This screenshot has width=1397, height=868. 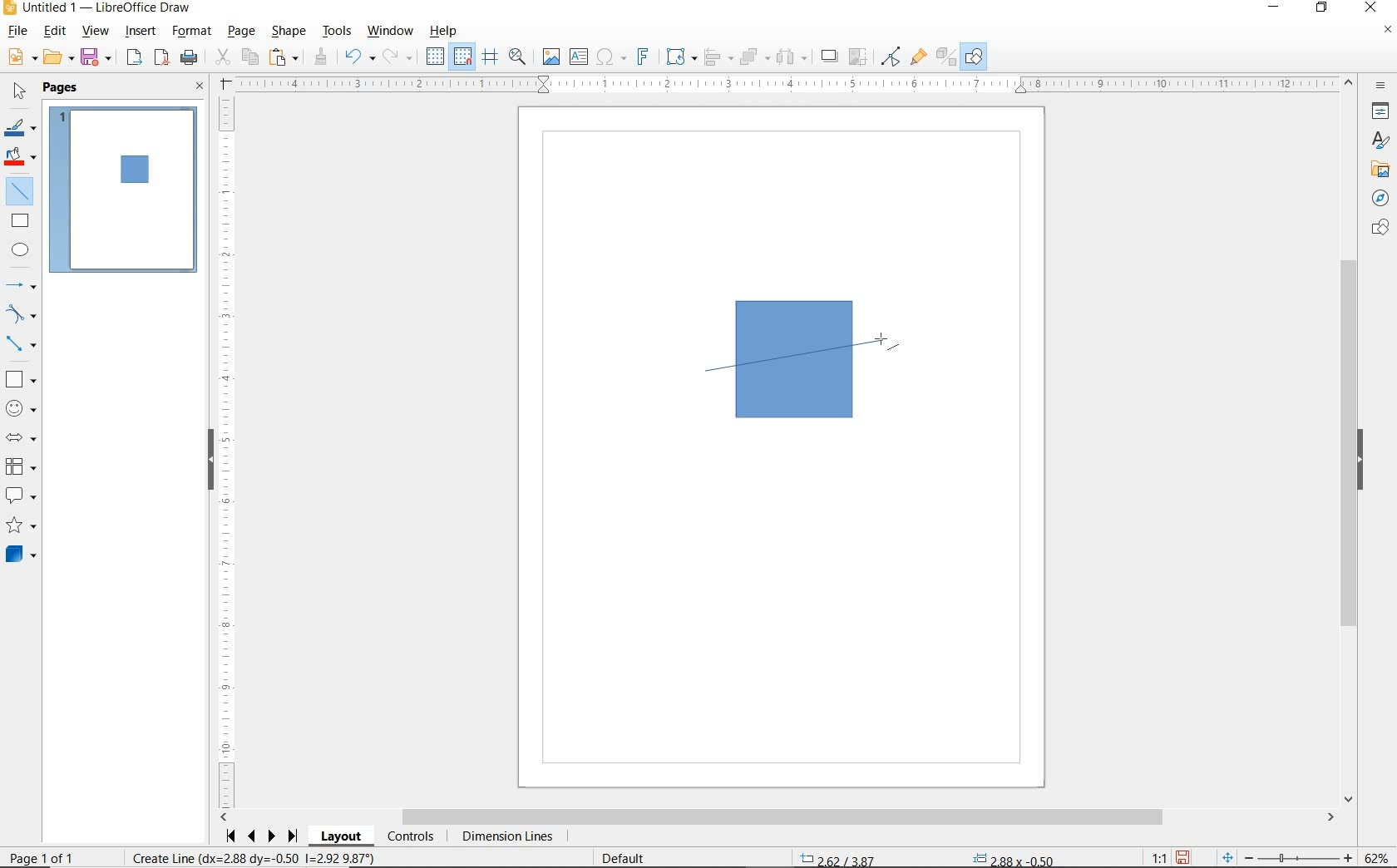 What do you see at coordinates (975, 57) in the screenshot?
I see `SHOW DRAW FUNCTIONS` at bounding box center [975, 57].